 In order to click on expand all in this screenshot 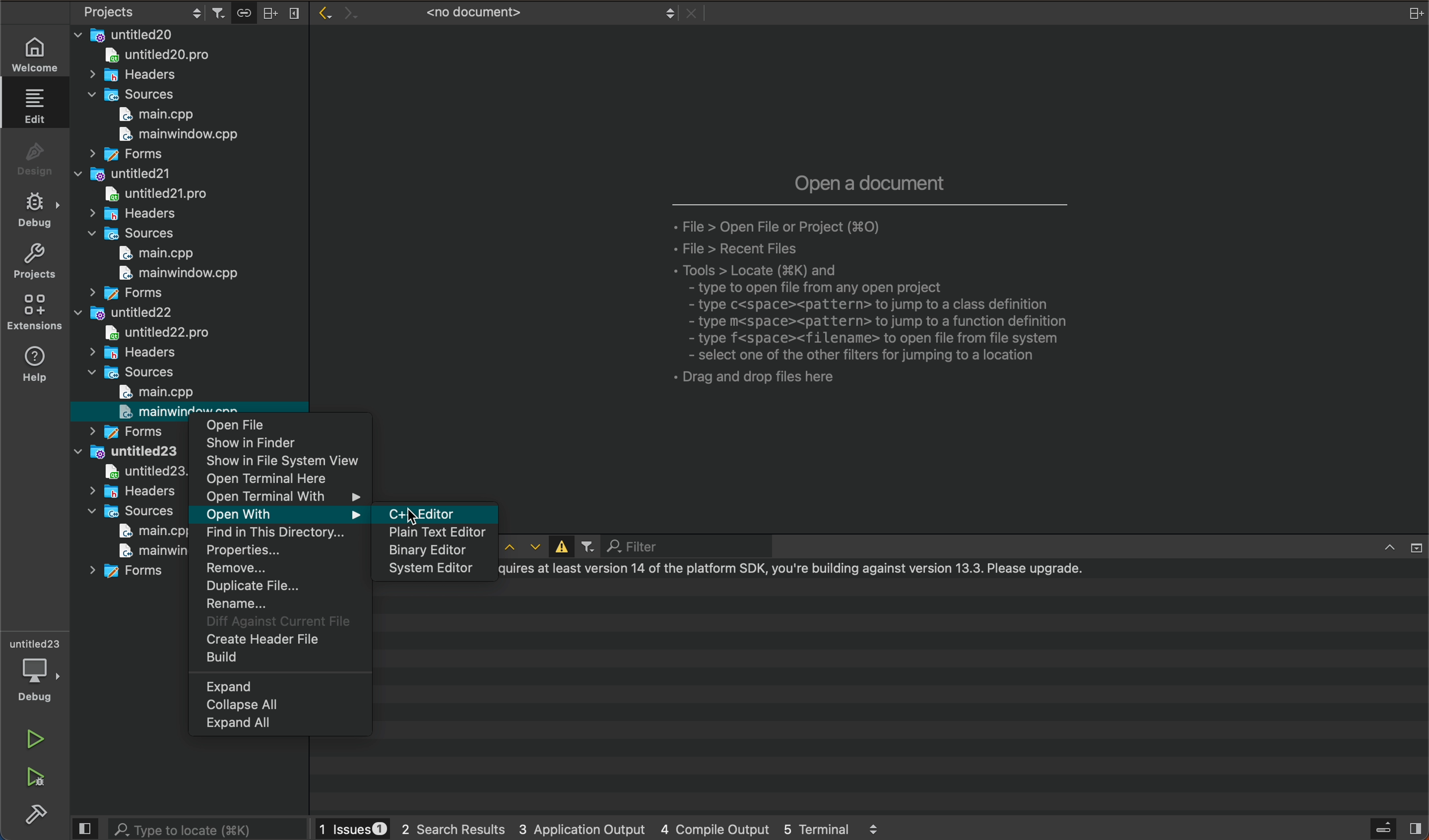, I will do `click(280, 726)`.